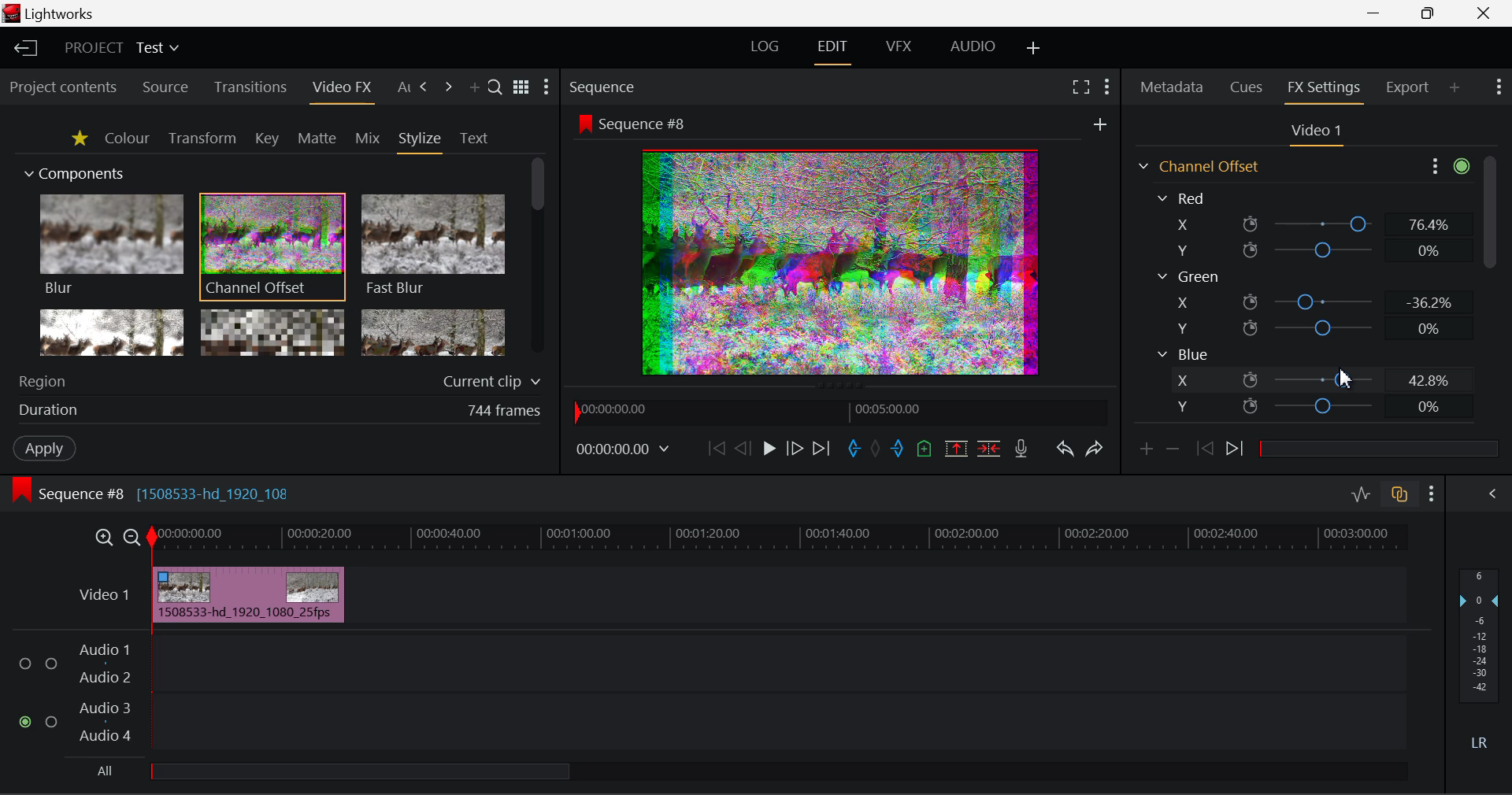 This screenshot has width=1512, height=795. What do you see at coordinates (1183, 355) in the screenshot?
I see `Blue` at bounding box center [1183, 355].